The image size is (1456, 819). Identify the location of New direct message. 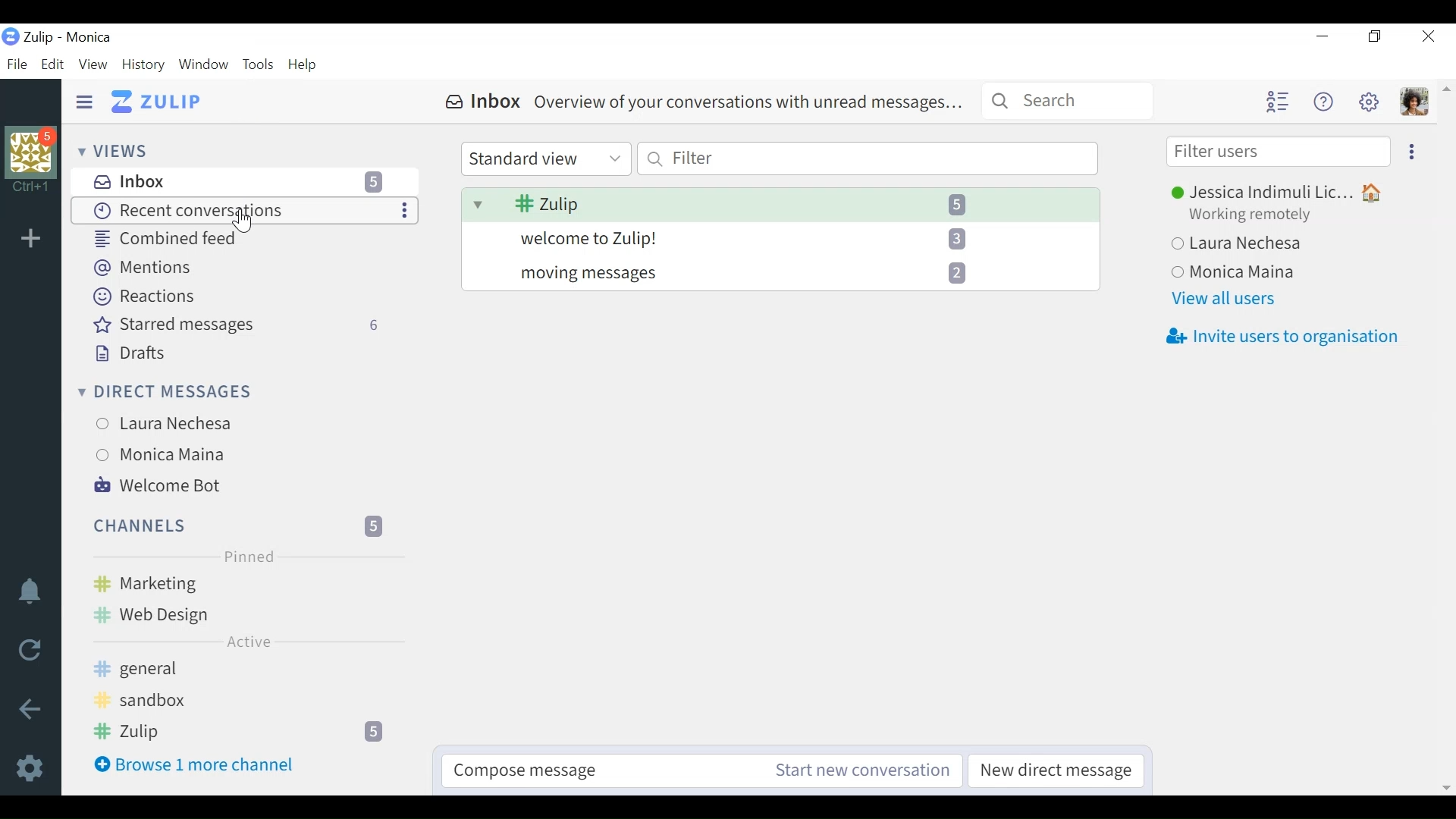
(1052, 771).